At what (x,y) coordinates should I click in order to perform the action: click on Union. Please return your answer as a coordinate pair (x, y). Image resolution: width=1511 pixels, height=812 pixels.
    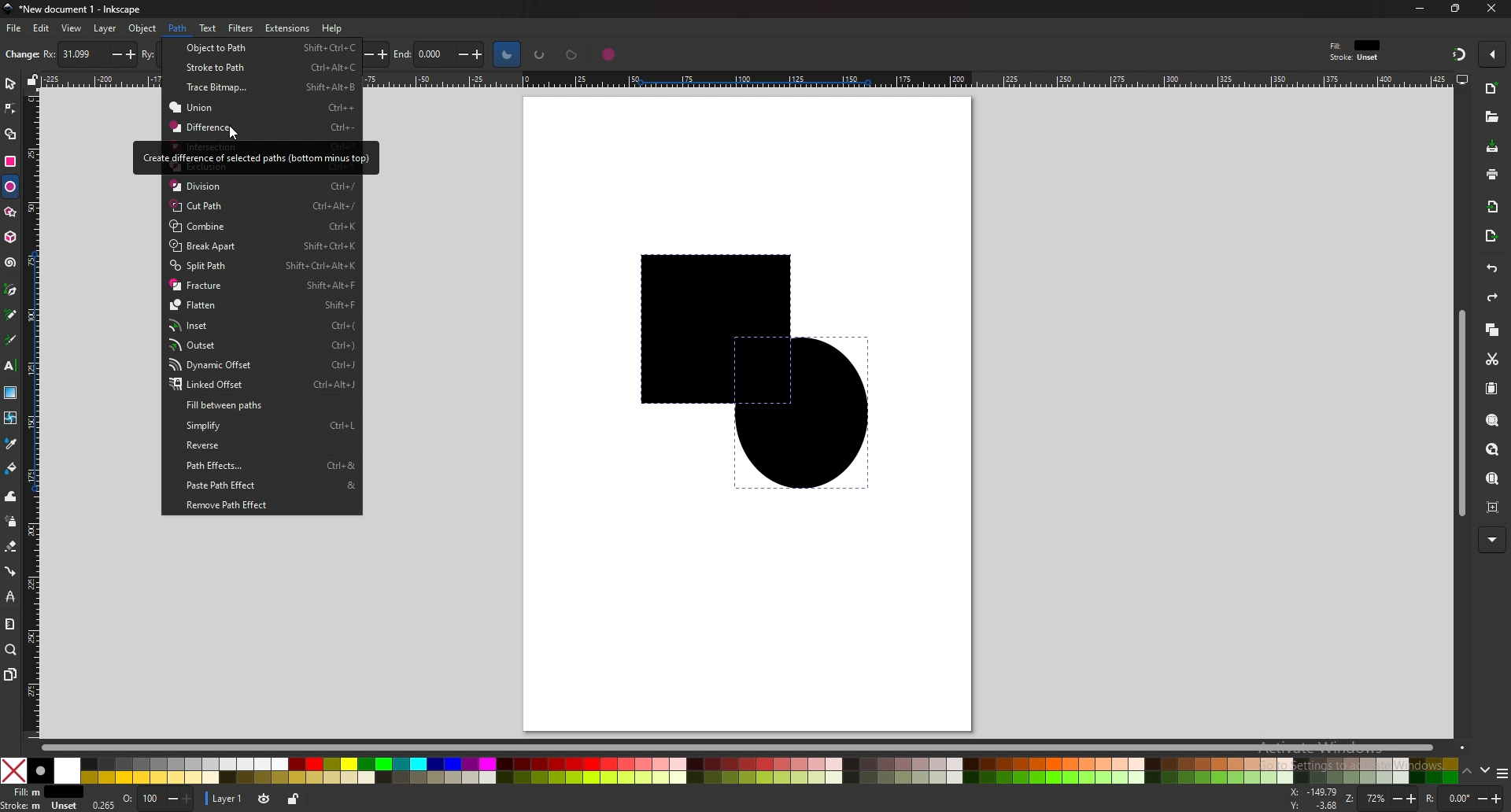
    Looking at the image, I should click on (261, 109).